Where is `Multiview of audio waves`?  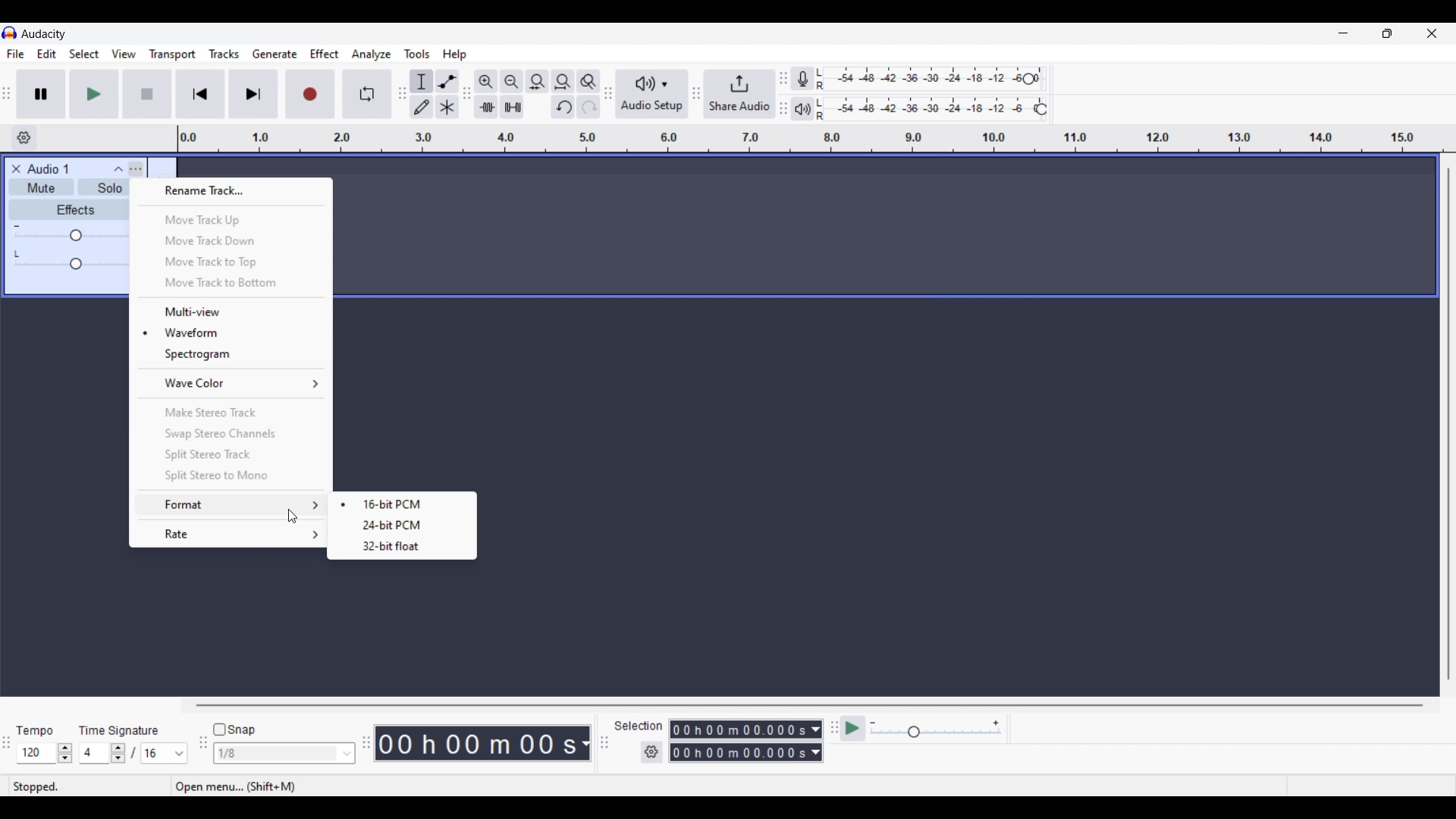
Multiview of audio waves is located at coordinates (232, 312).